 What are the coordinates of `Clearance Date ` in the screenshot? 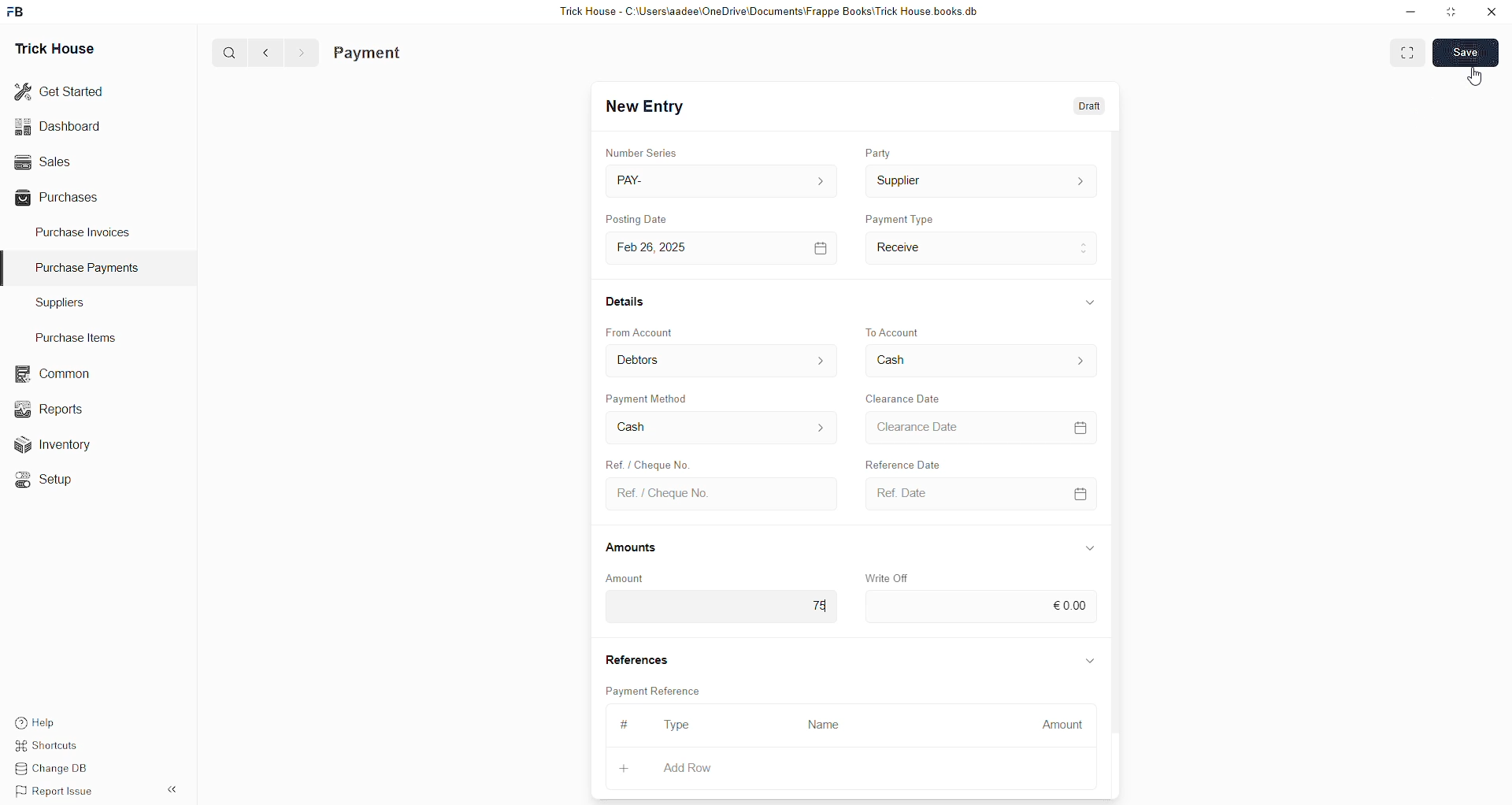 It's located at (978, 426).